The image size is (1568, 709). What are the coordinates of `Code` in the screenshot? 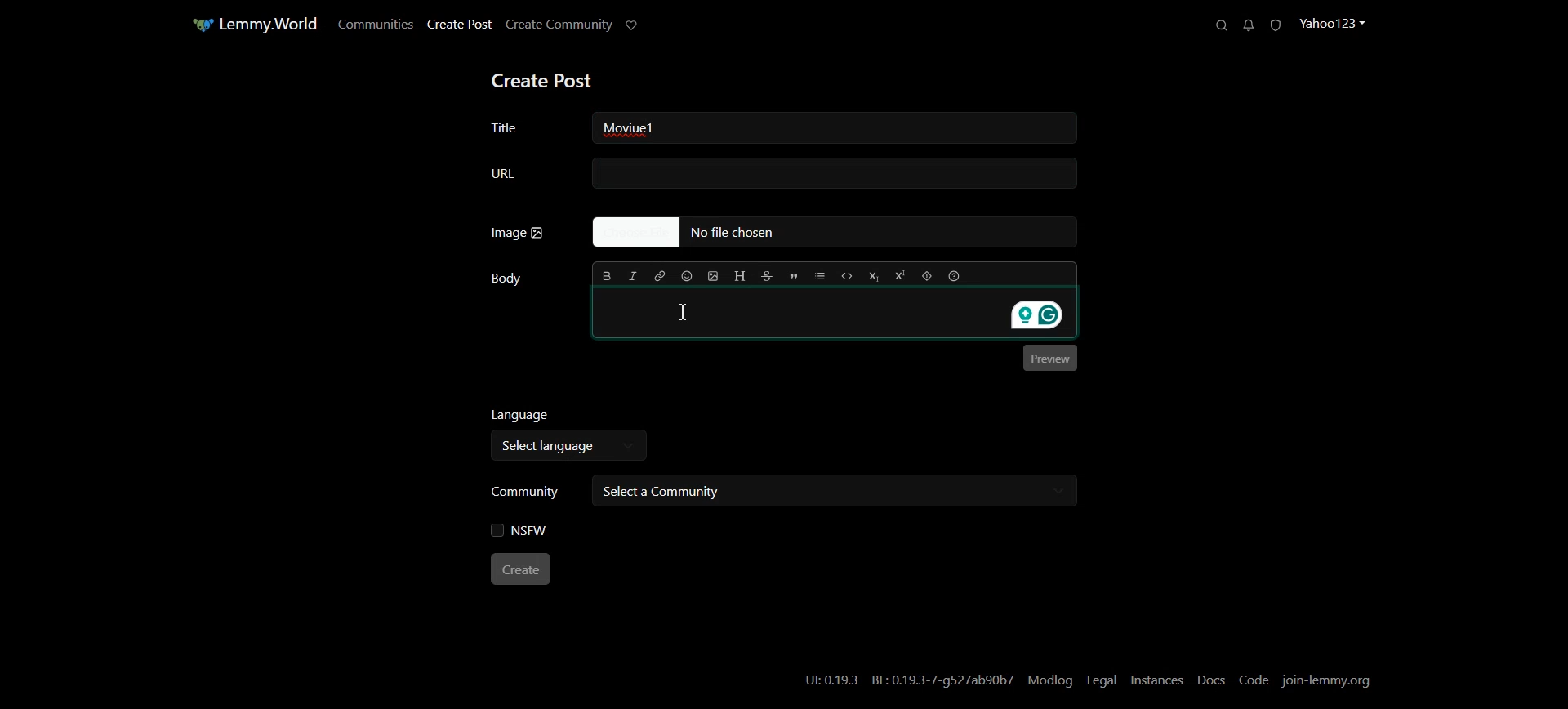 It's located at (1255, 680).